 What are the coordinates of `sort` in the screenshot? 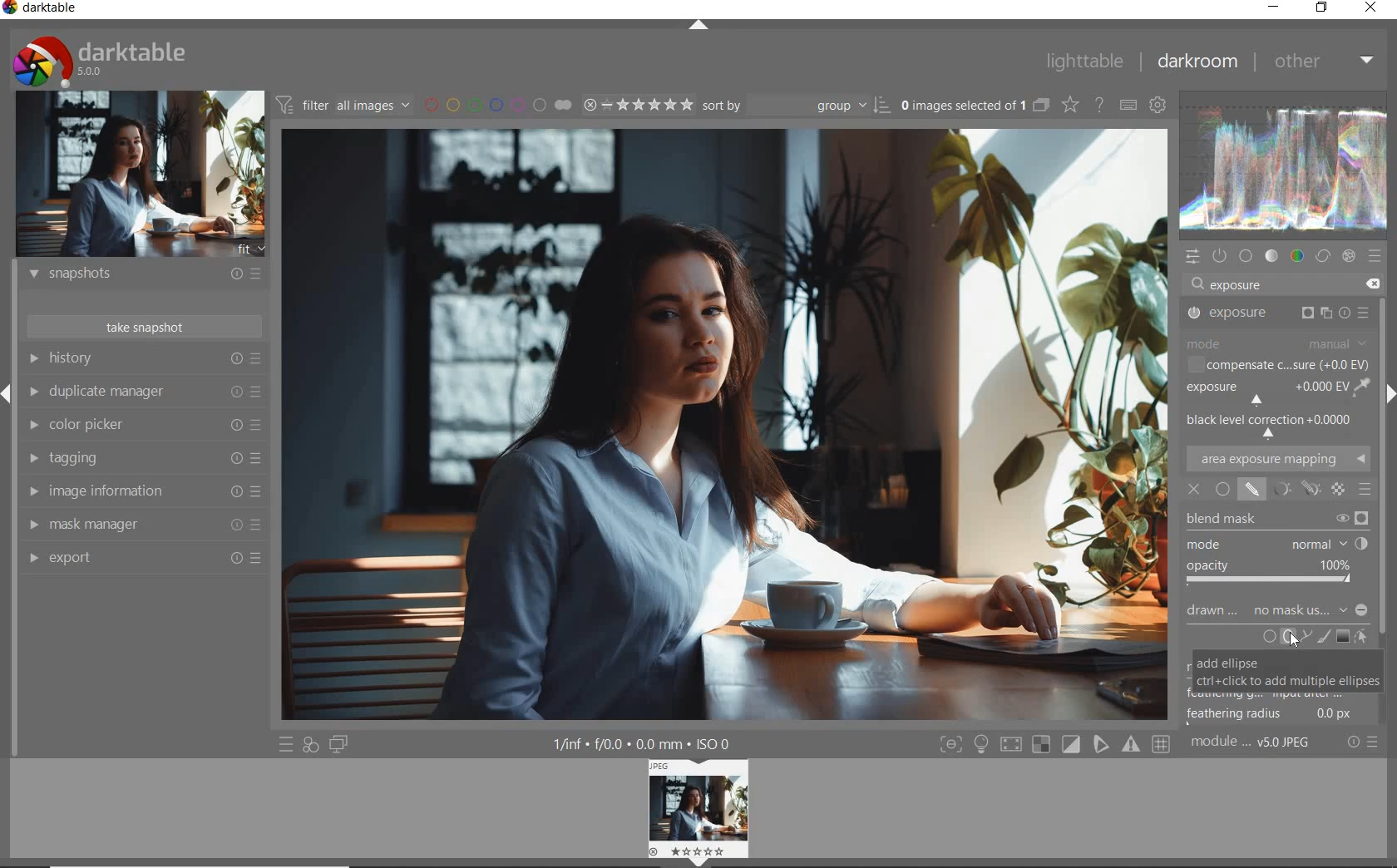 It's located at (793, 106).